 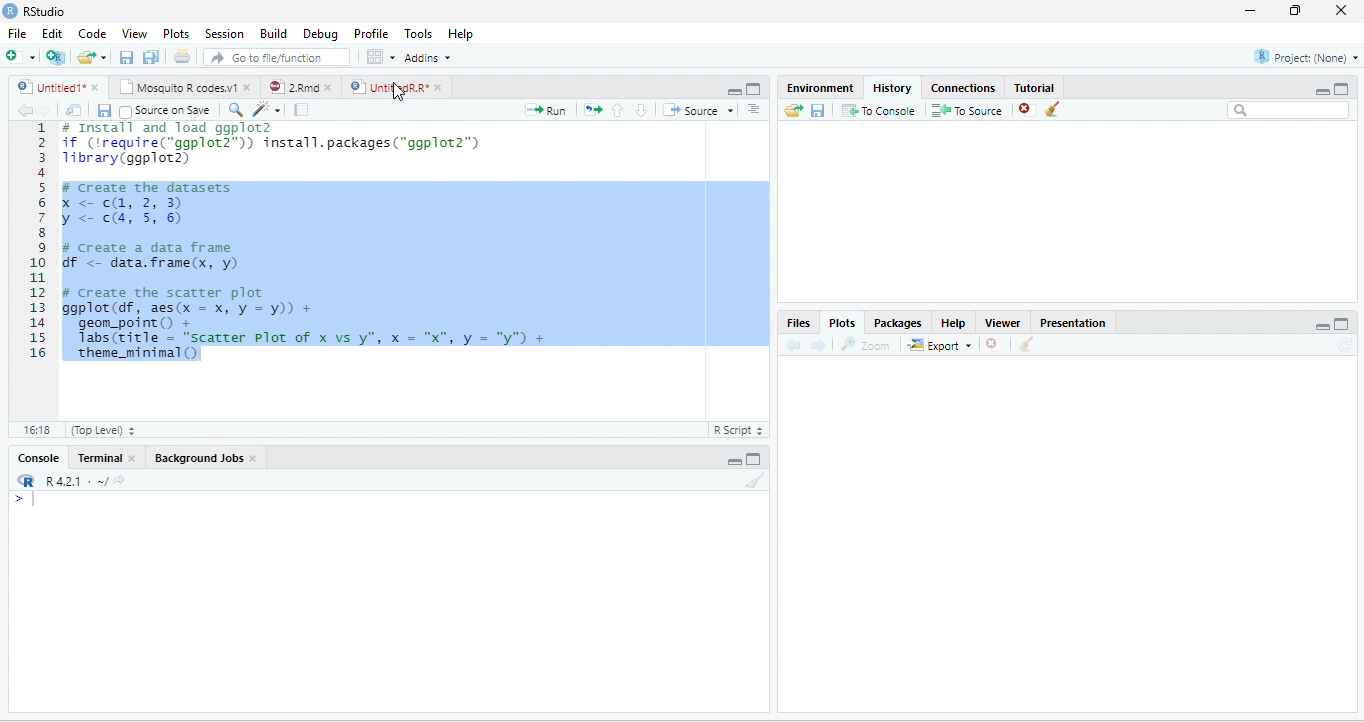 I want to click on zoom, so click(x=866, y=344).